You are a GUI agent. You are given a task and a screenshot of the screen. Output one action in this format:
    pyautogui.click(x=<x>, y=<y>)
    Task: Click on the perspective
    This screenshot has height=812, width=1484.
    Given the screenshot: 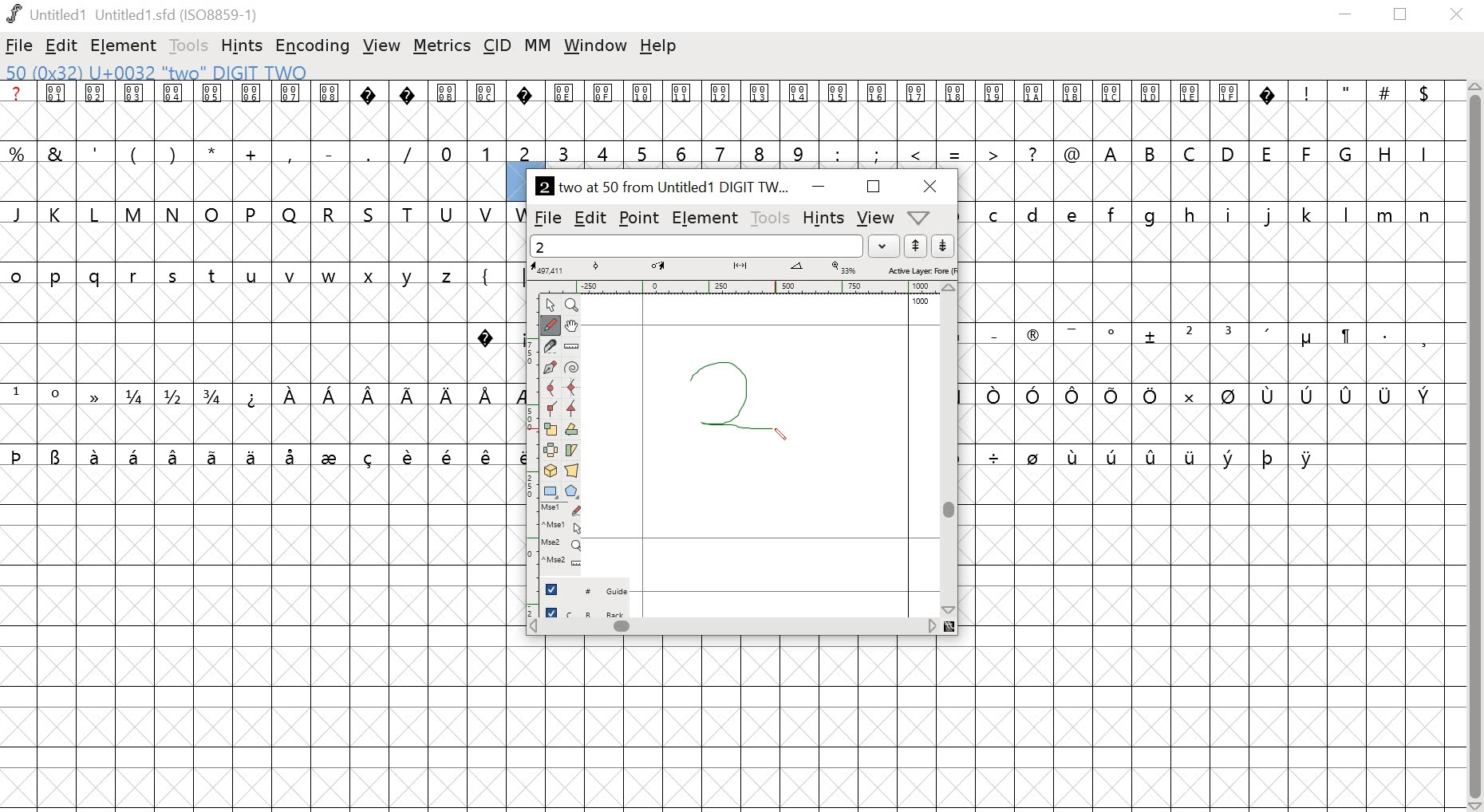 What is the action you would take?
    pyautogui.click(x=572, y=472)
    